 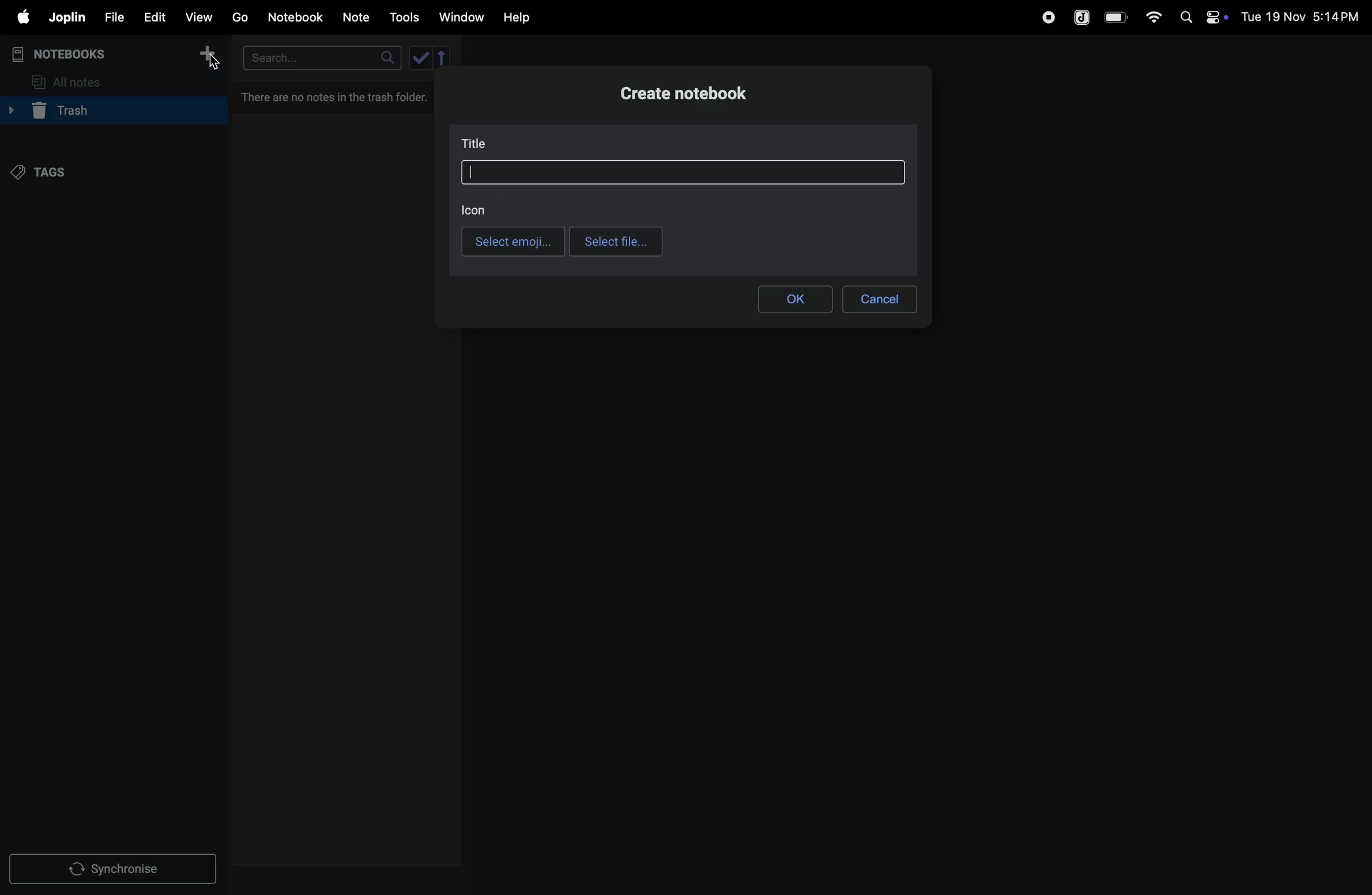 I want to click on joplin menu, so click(x=65, y=17).